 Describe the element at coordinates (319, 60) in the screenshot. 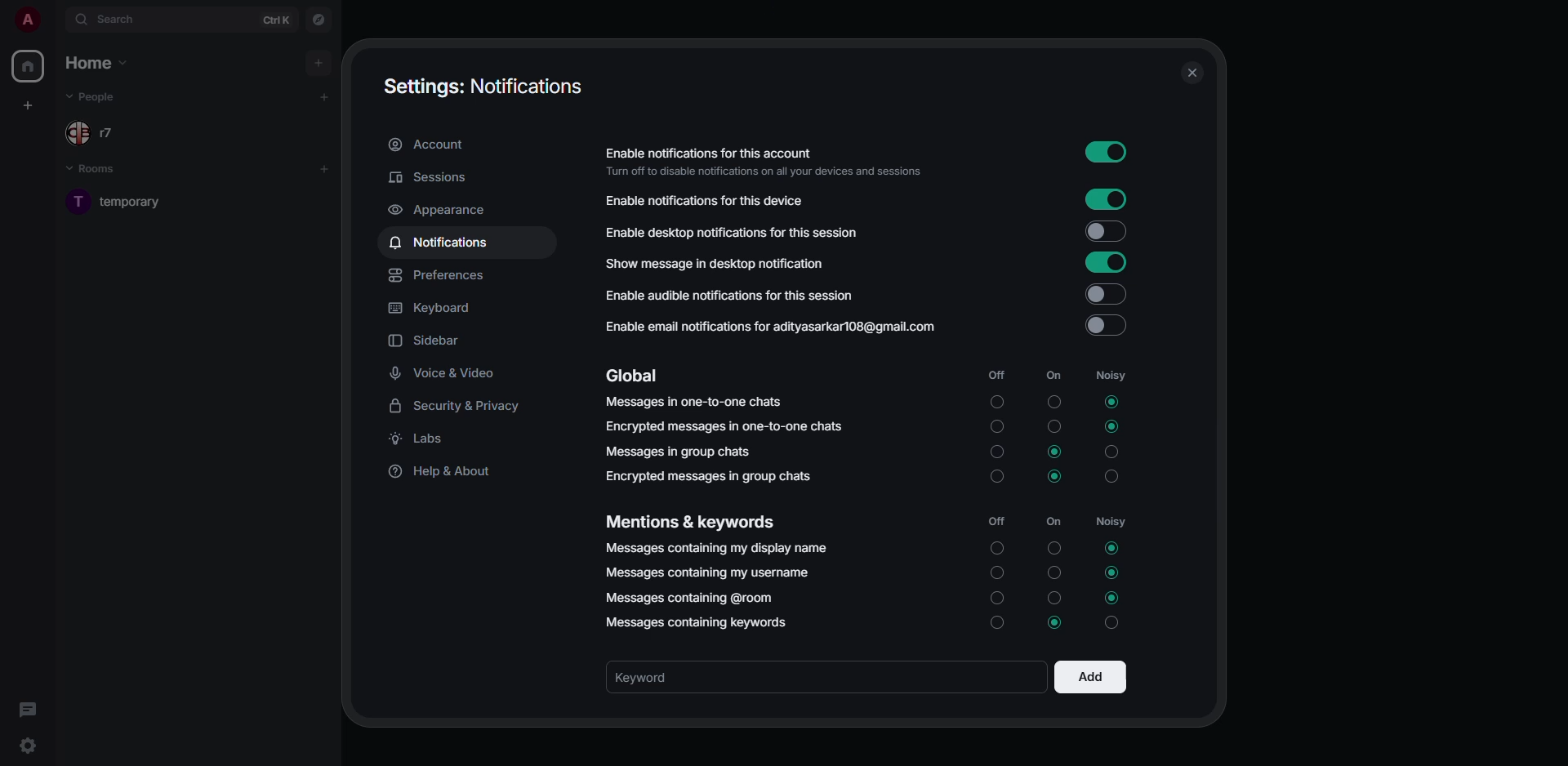

I see `add` at that location.